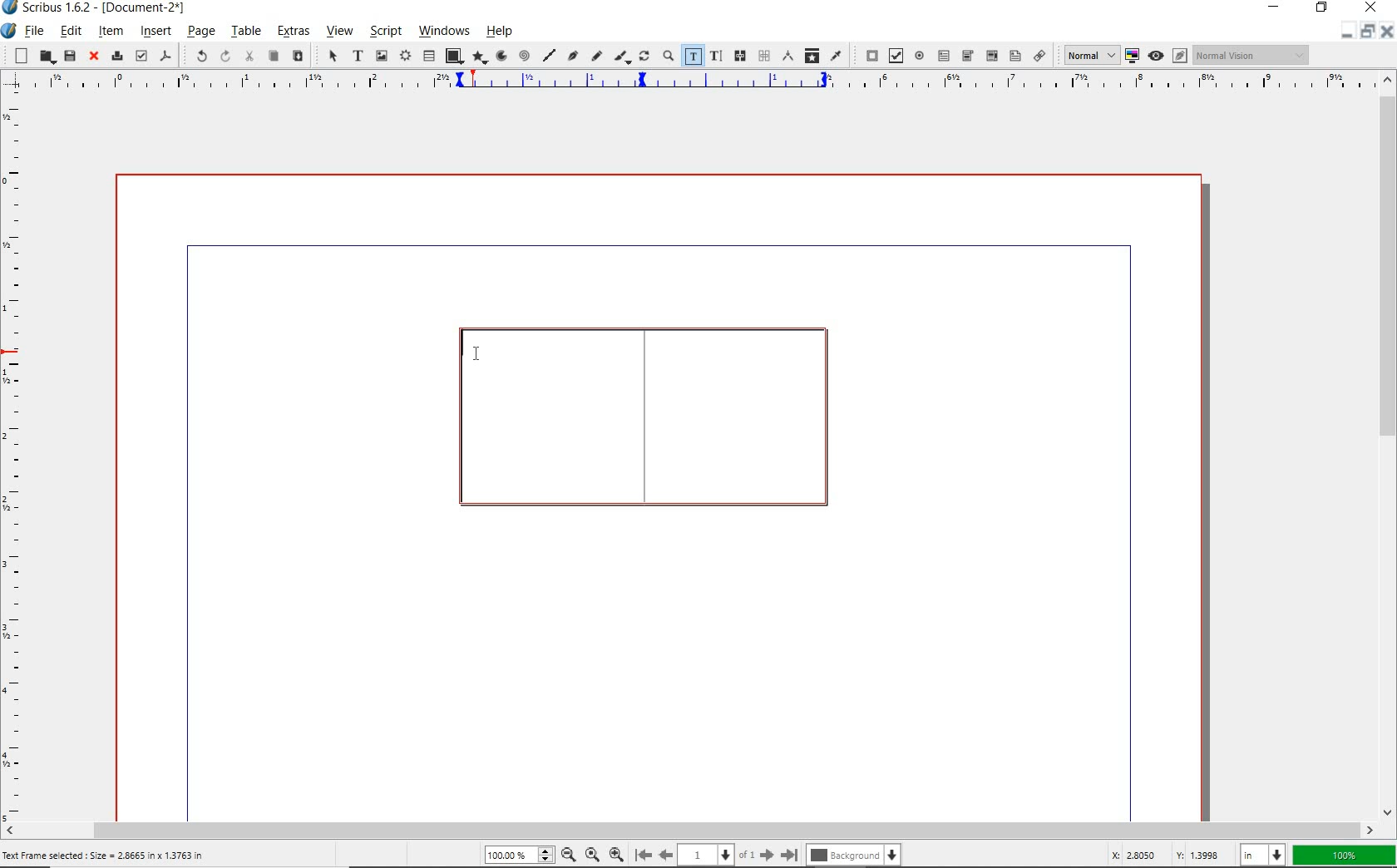  Describe the element at coordinates (790, 852) in the screenshot. I see `go to last page` at that location.